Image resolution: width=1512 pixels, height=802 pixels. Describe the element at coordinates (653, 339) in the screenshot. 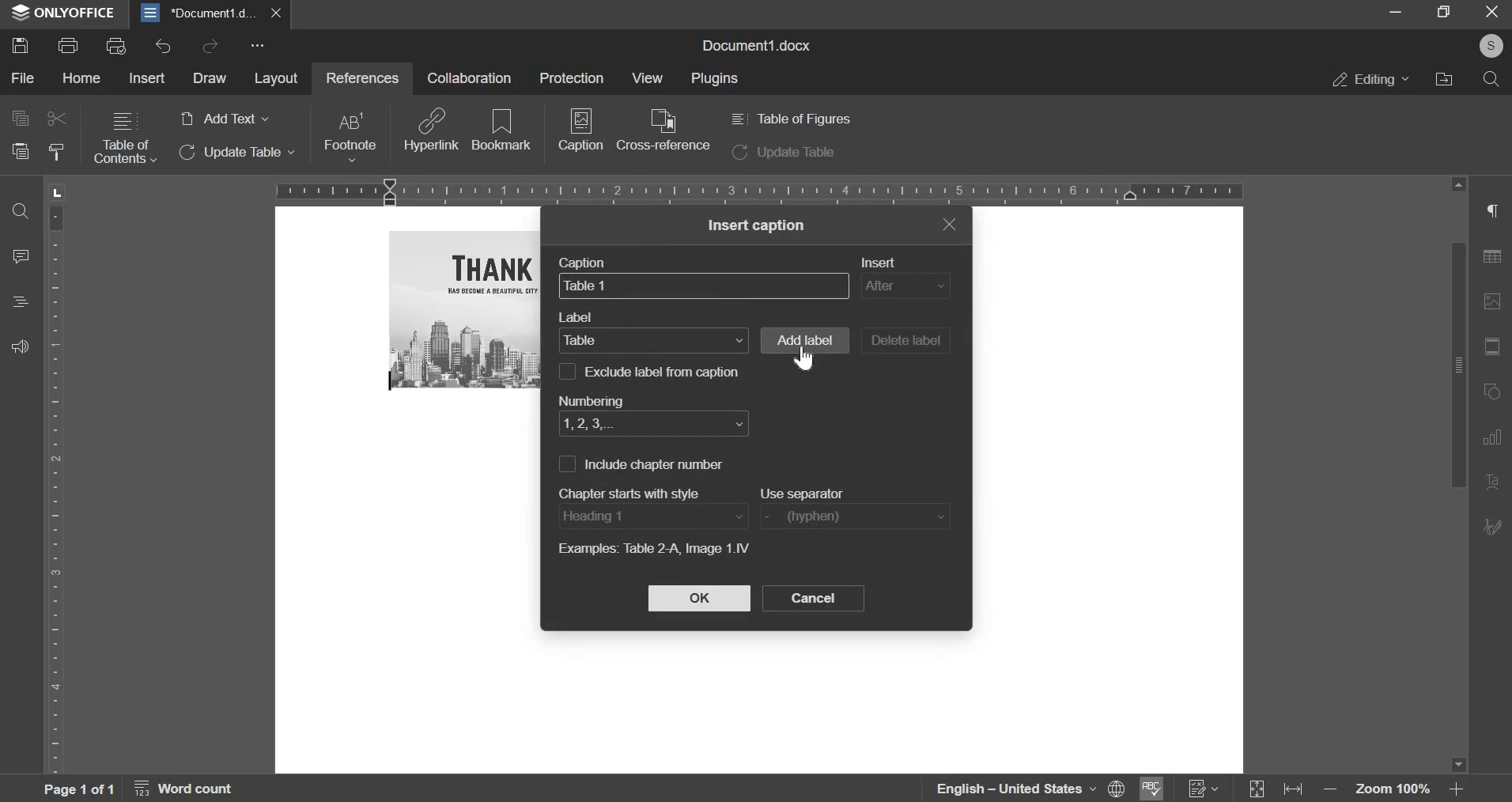

I see `label` at that location.